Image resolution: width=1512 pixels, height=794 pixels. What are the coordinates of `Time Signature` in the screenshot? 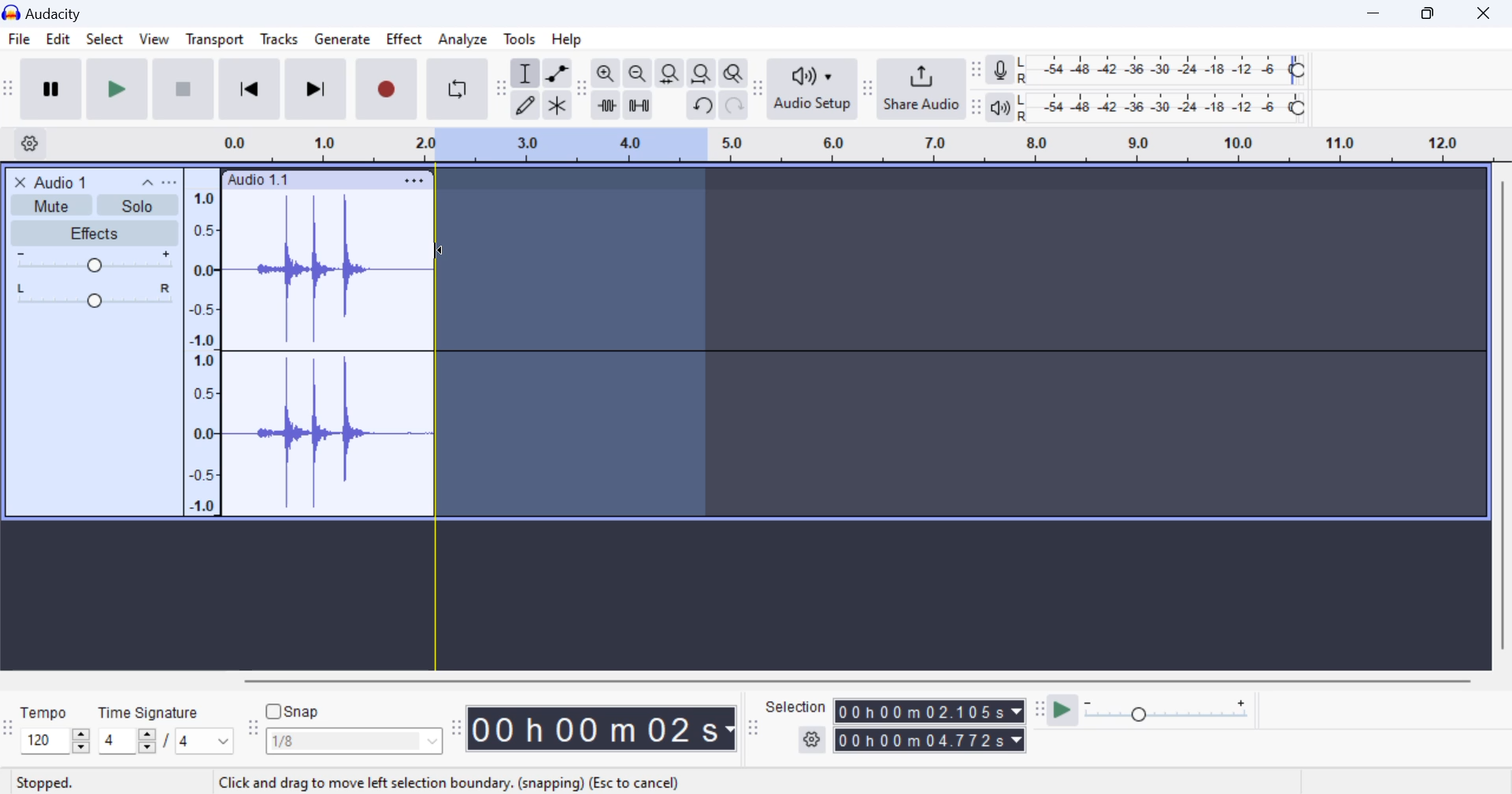 It's located at (150, 710).